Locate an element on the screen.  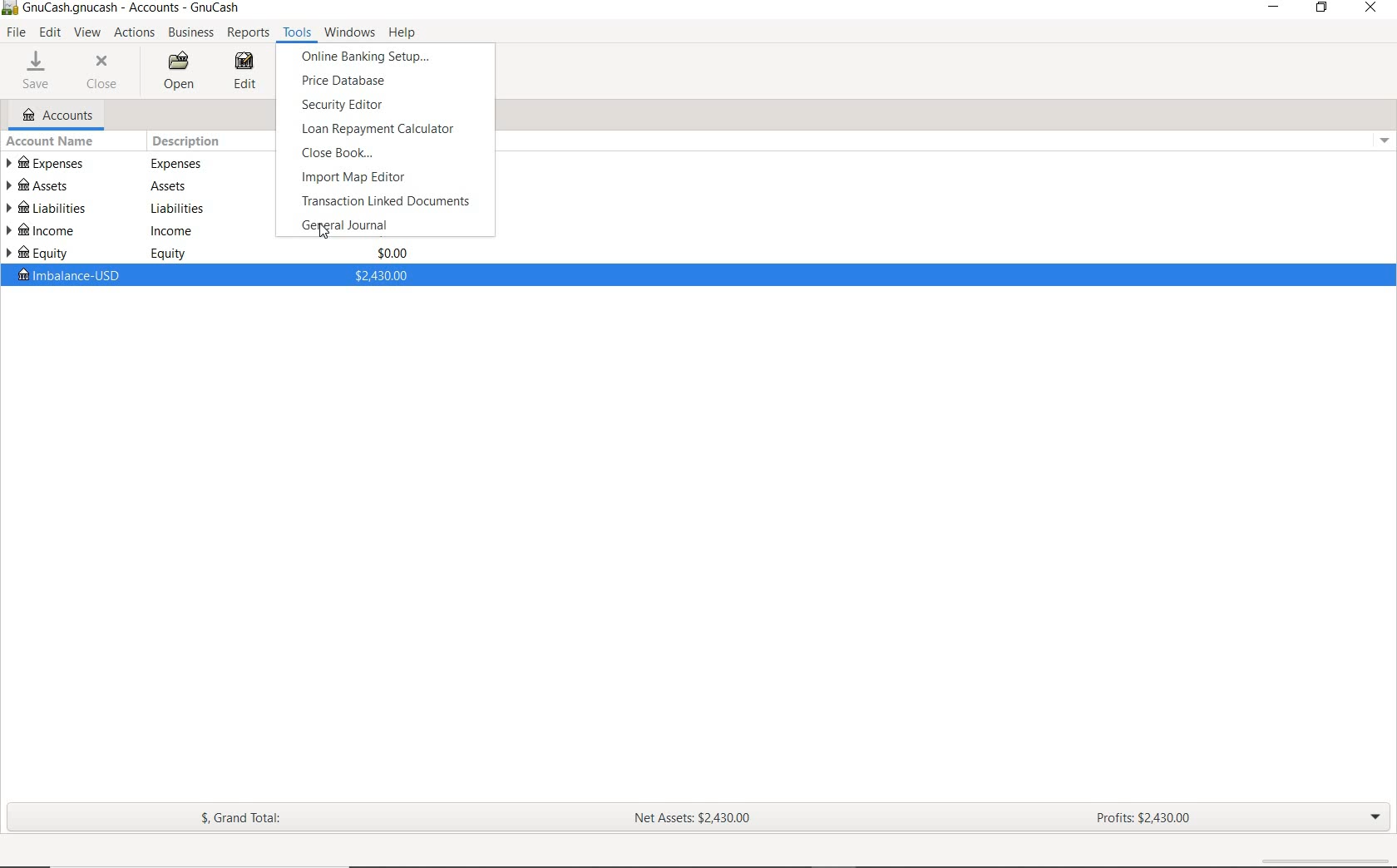
ACCOUNT NAME is located at coordinates (50, 143).